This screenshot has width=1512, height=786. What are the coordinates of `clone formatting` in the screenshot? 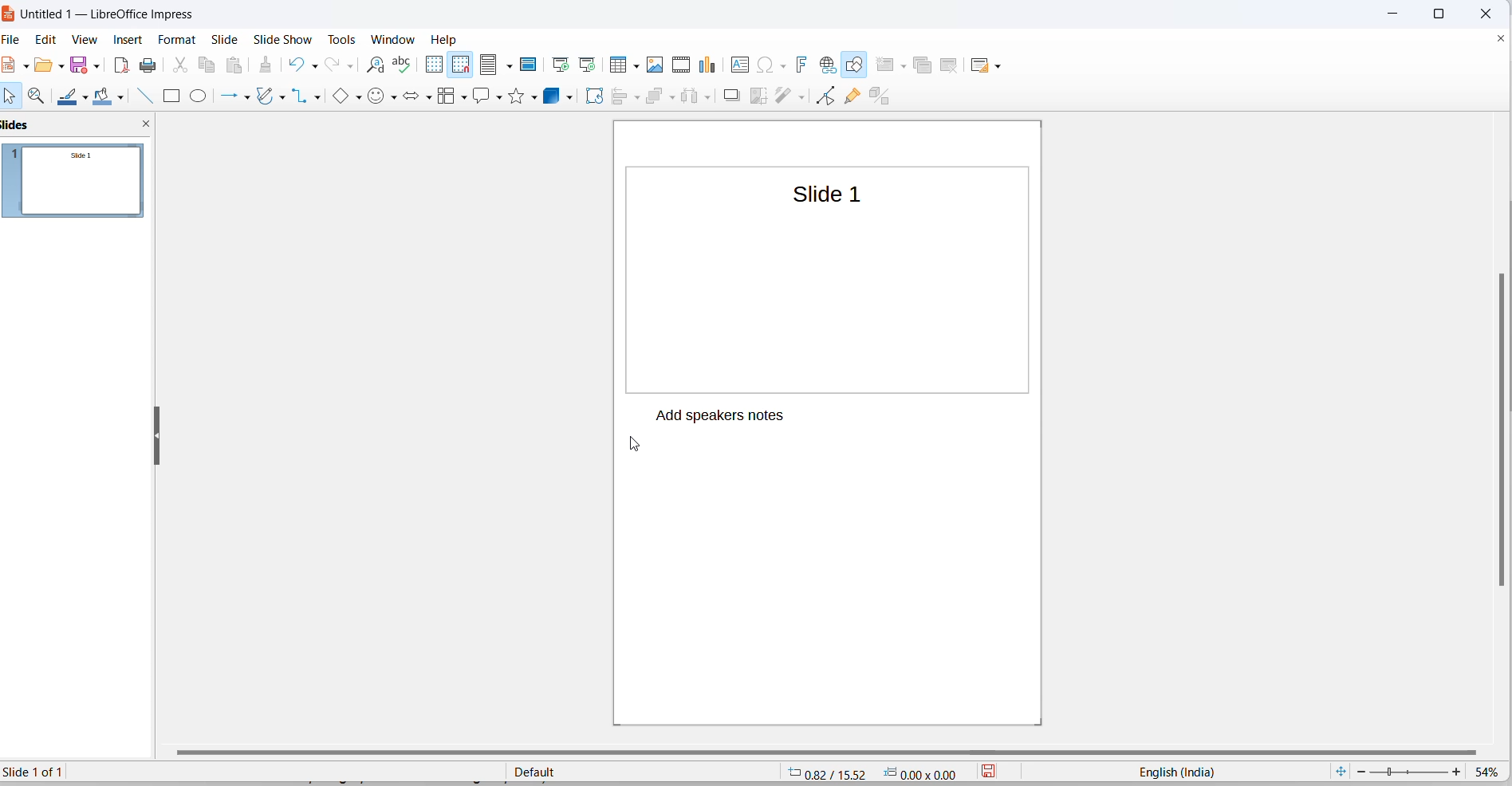 It's located at (267, 65).